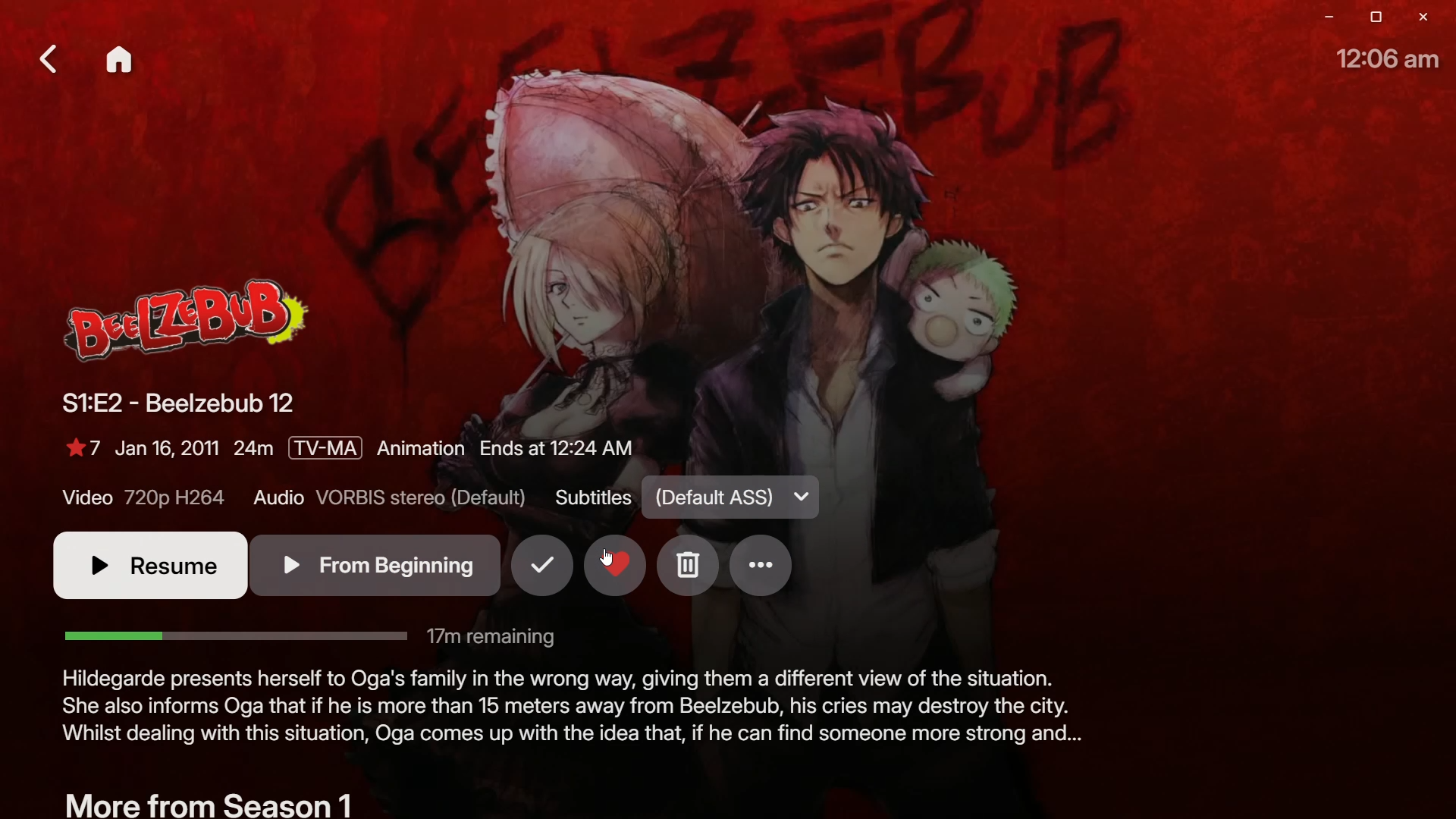 This screenshot has height=819, width=1456. Describe the element at coordinates (1319, 19) in the screenshot. I see `minimize` at that location.